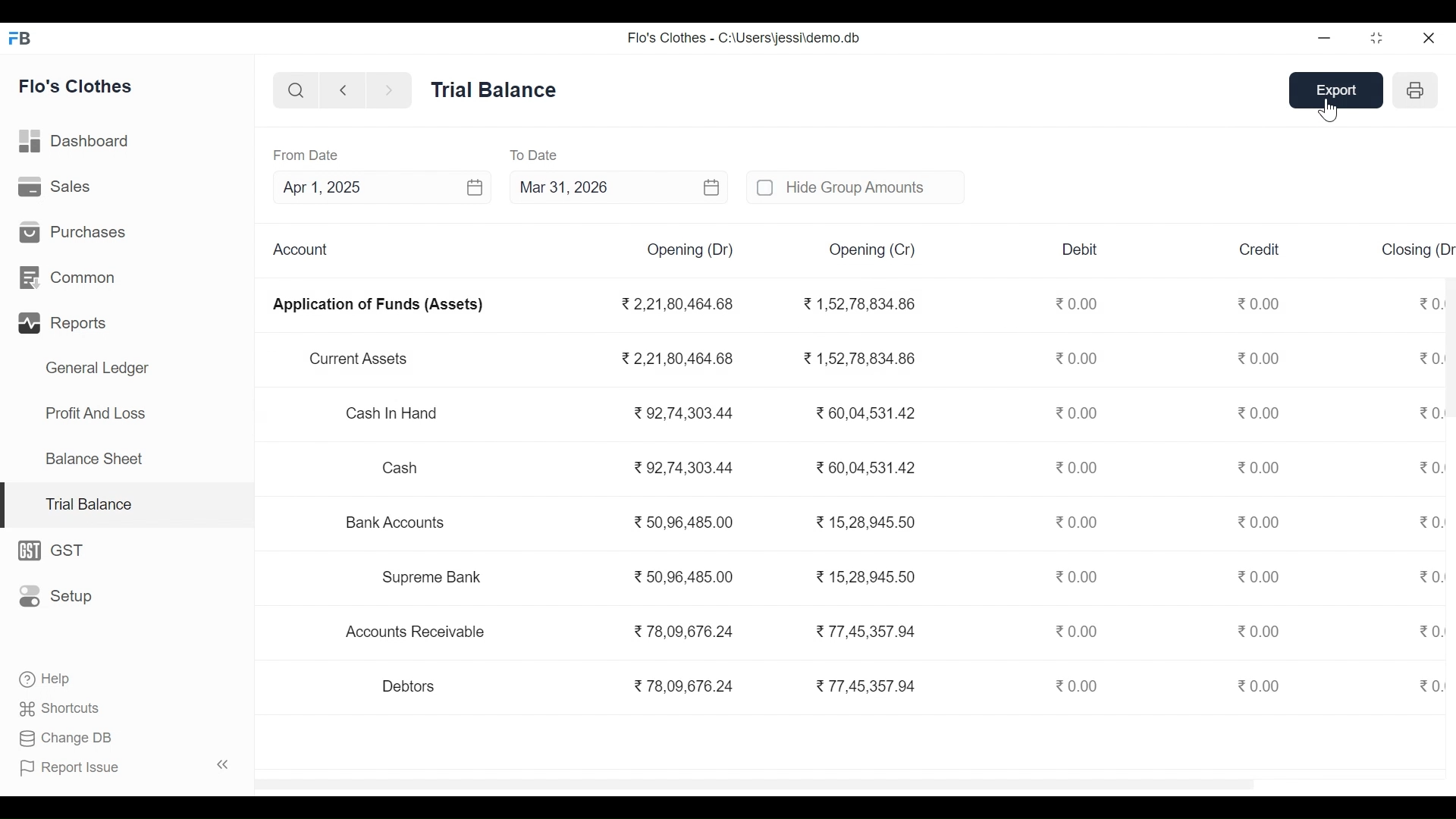 This screenshot has width=1456, height=819. What do you see at coordinates (438, 577) in the screenshot?
I see `Supreme Bank` at bounding box center [438, 577].